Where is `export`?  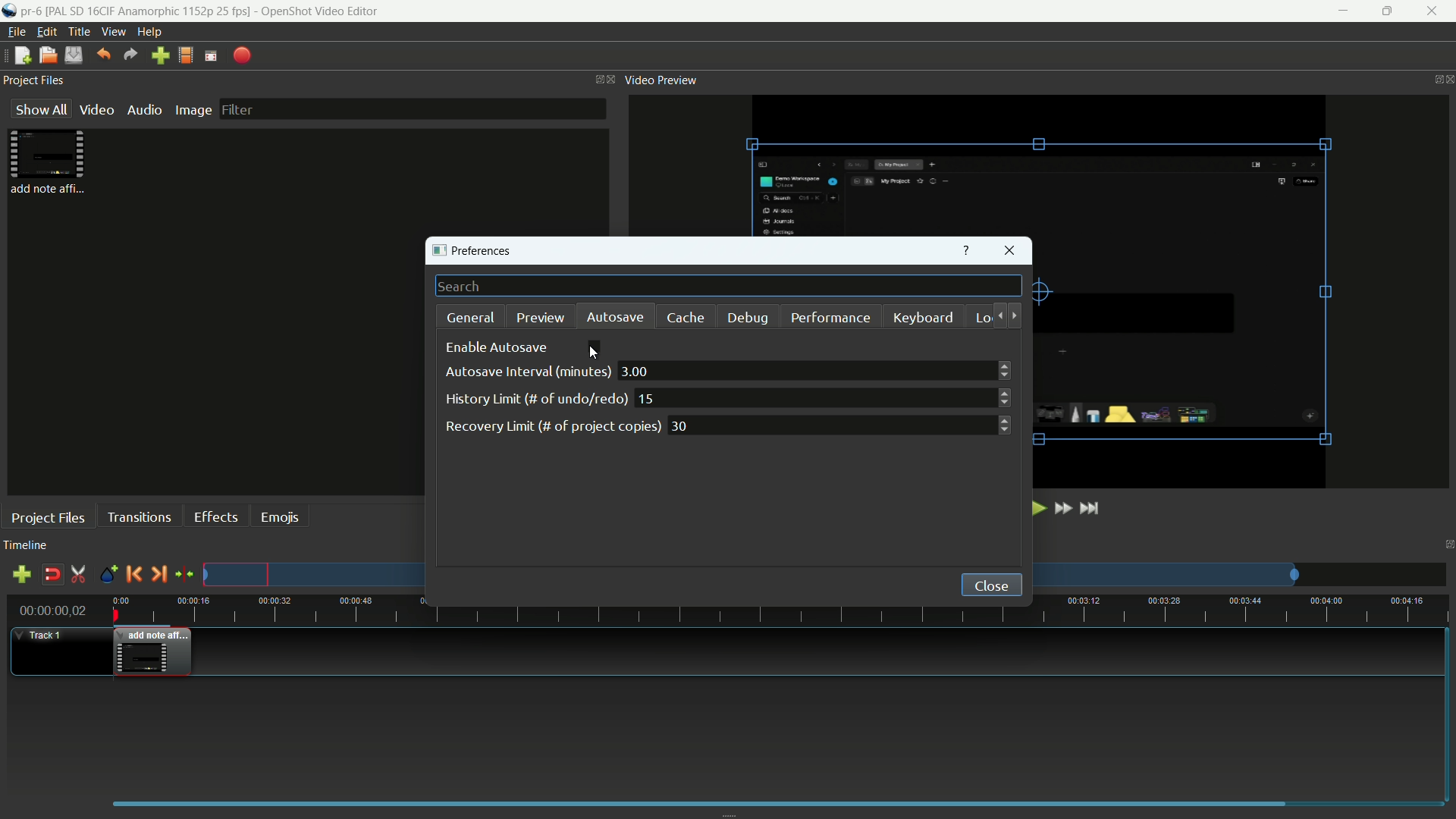 export is located at coordinates (243, 57).